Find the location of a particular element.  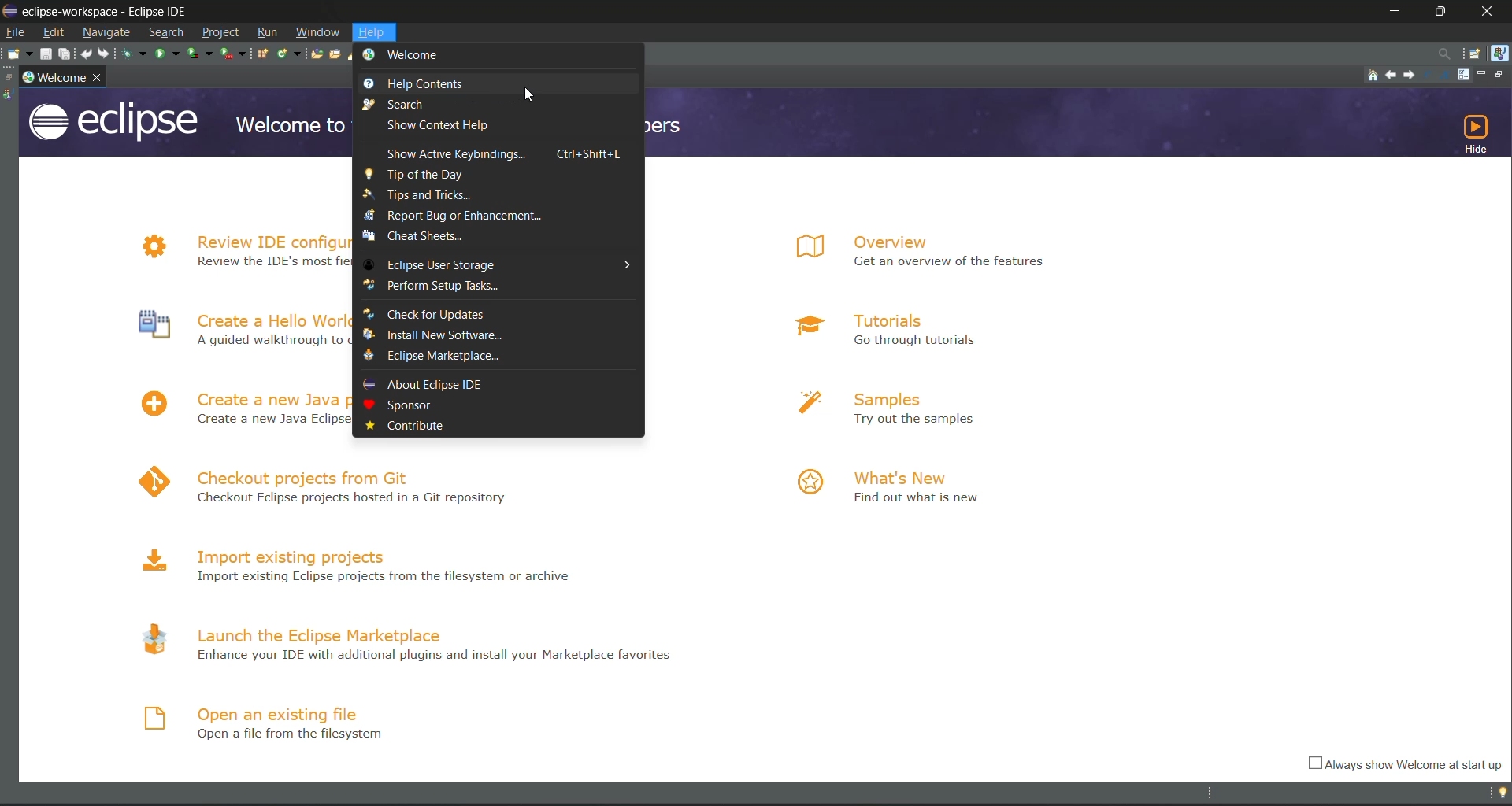

run is located at coordinates (167, 54).